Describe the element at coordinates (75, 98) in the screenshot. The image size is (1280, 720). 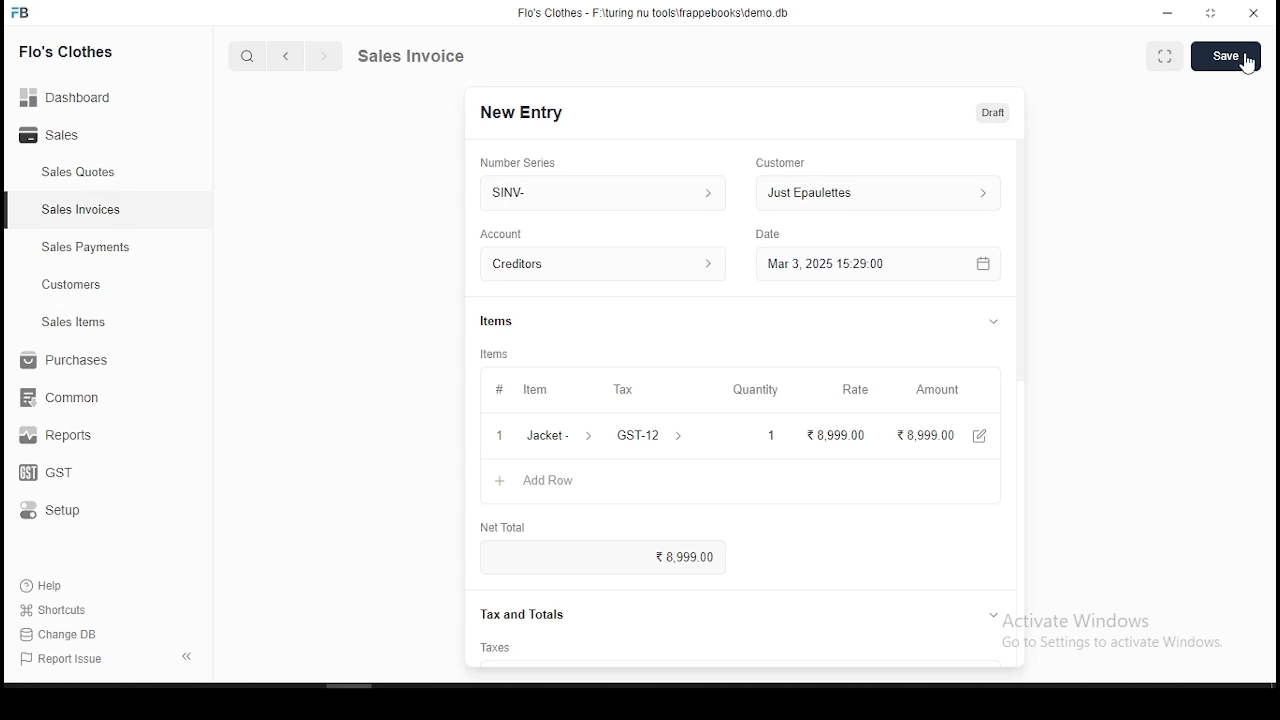
I see `Dashboard` at that location.